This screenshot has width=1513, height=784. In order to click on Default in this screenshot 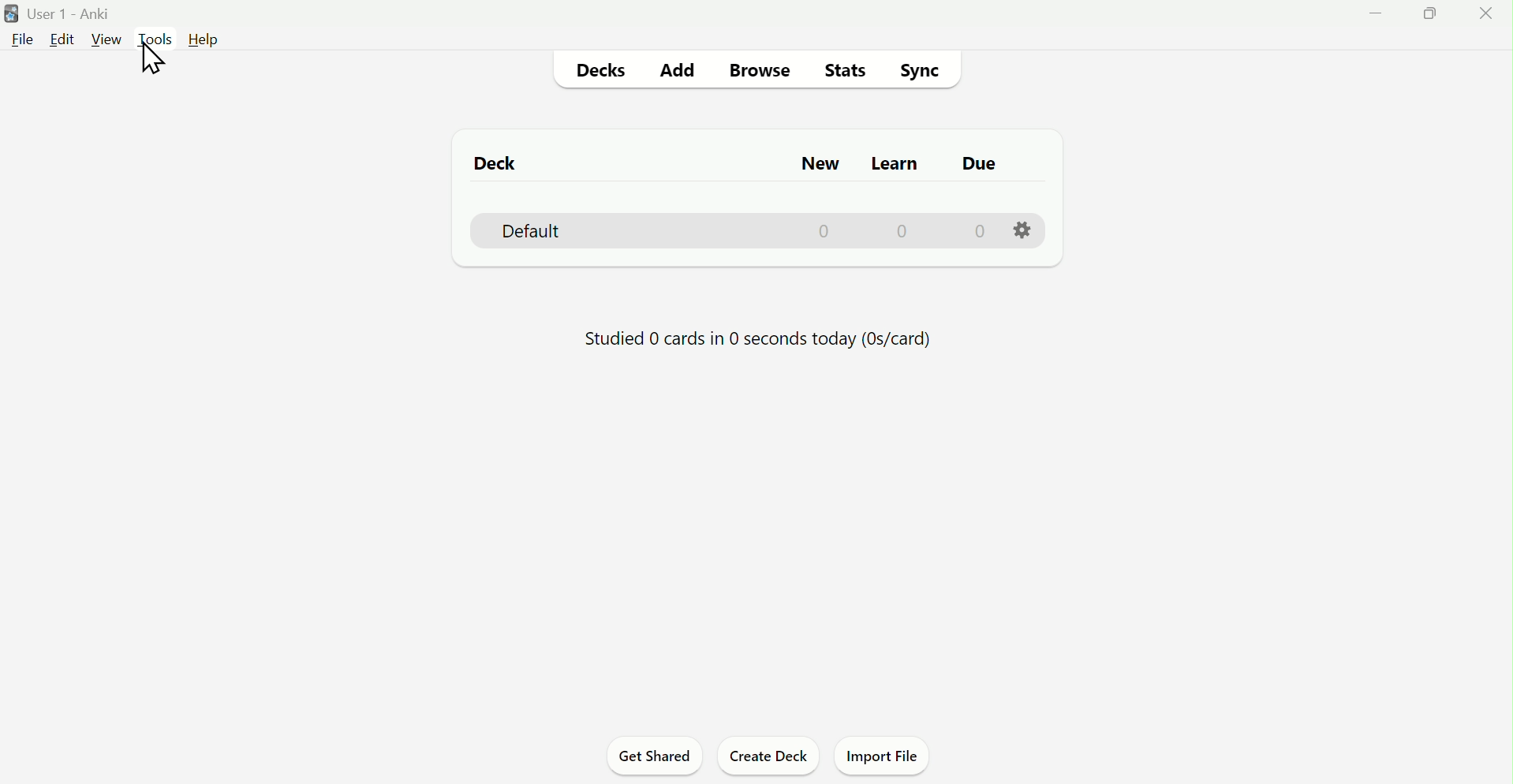, I will do `click(727, 231)`.